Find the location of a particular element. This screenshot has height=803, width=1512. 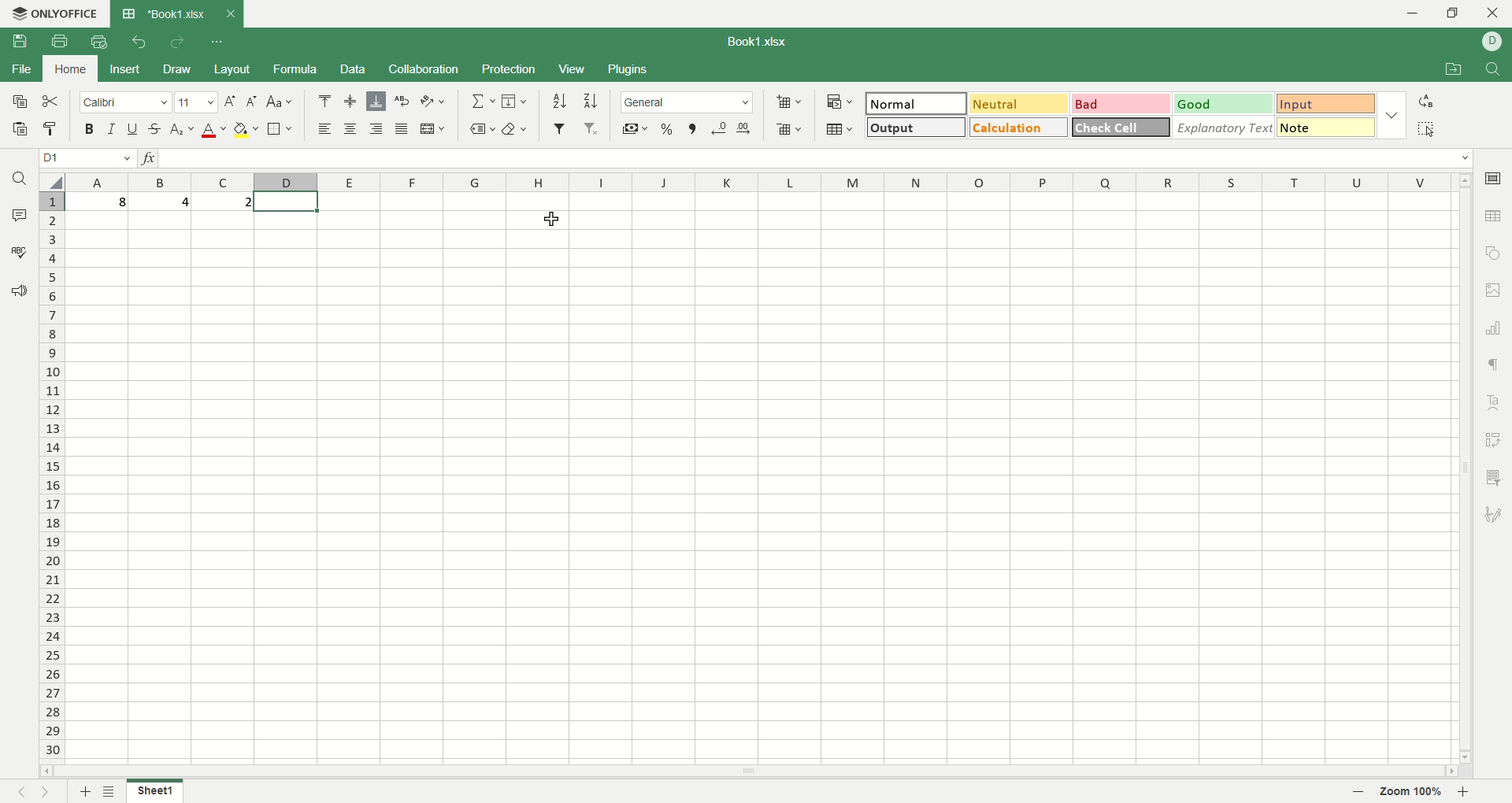

home is located at coordinates (71, 68).